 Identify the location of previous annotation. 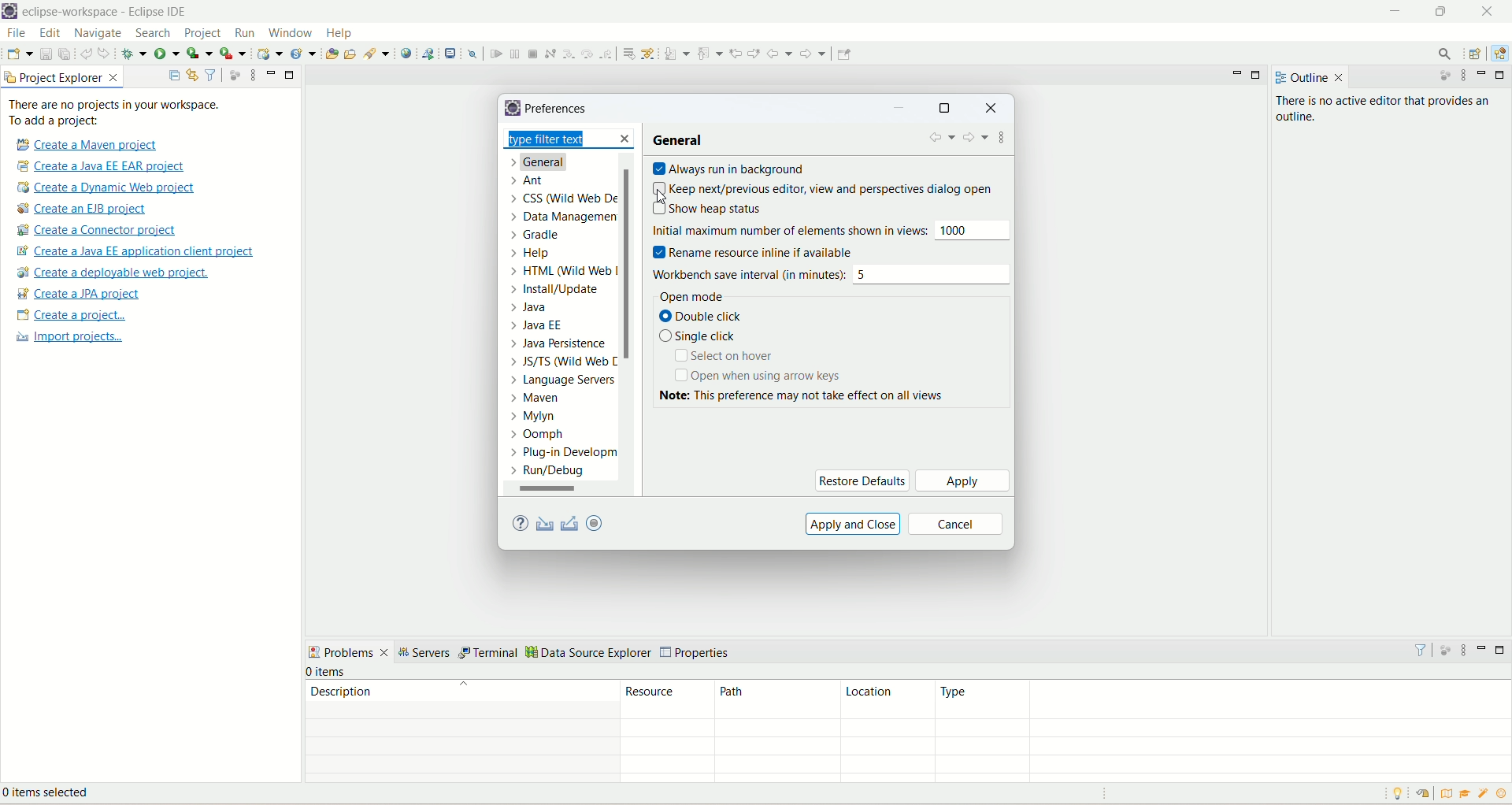
(710, 53).